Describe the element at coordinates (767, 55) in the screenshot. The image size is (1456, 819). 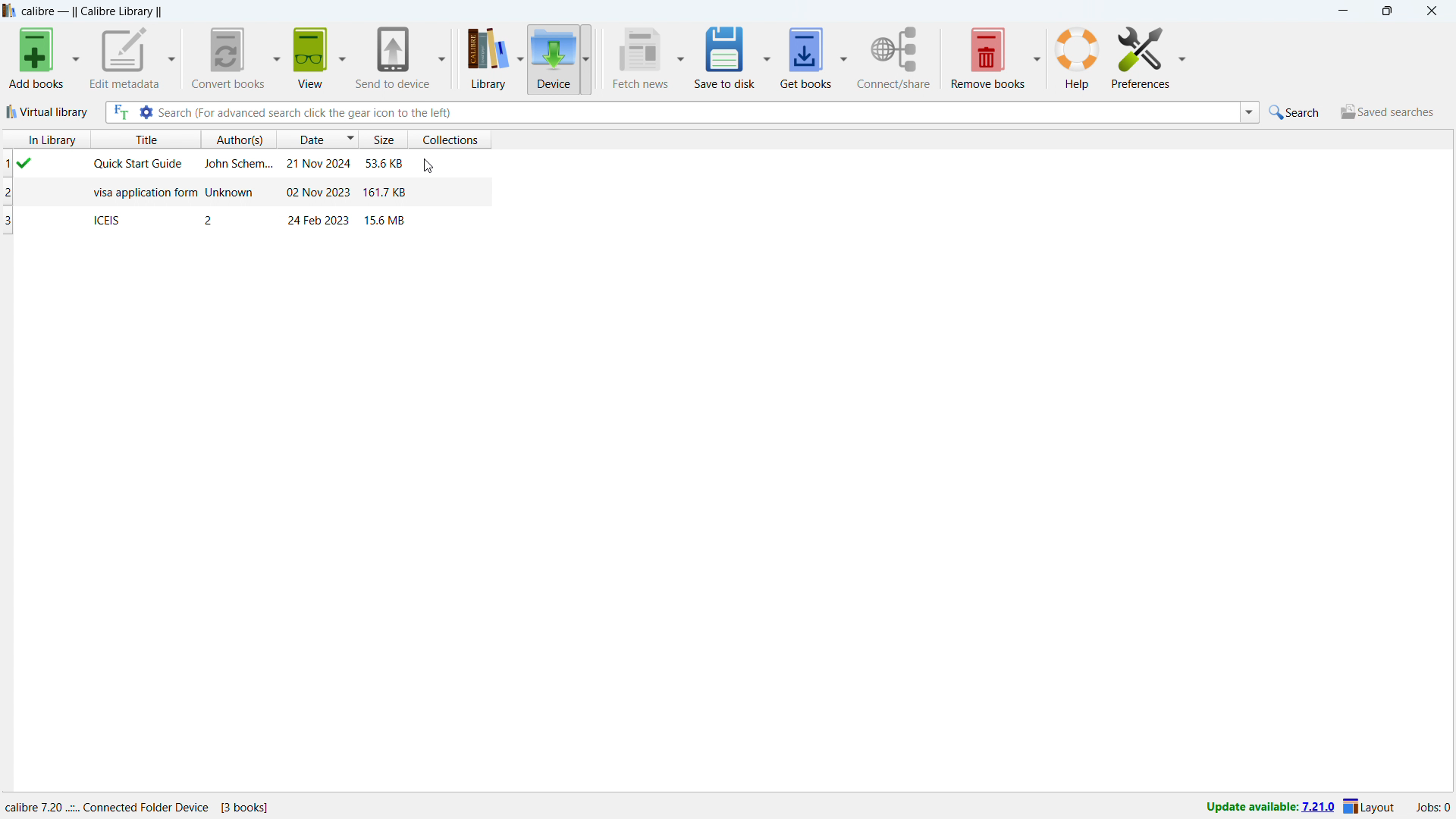
I see `save to disk options` at that location.